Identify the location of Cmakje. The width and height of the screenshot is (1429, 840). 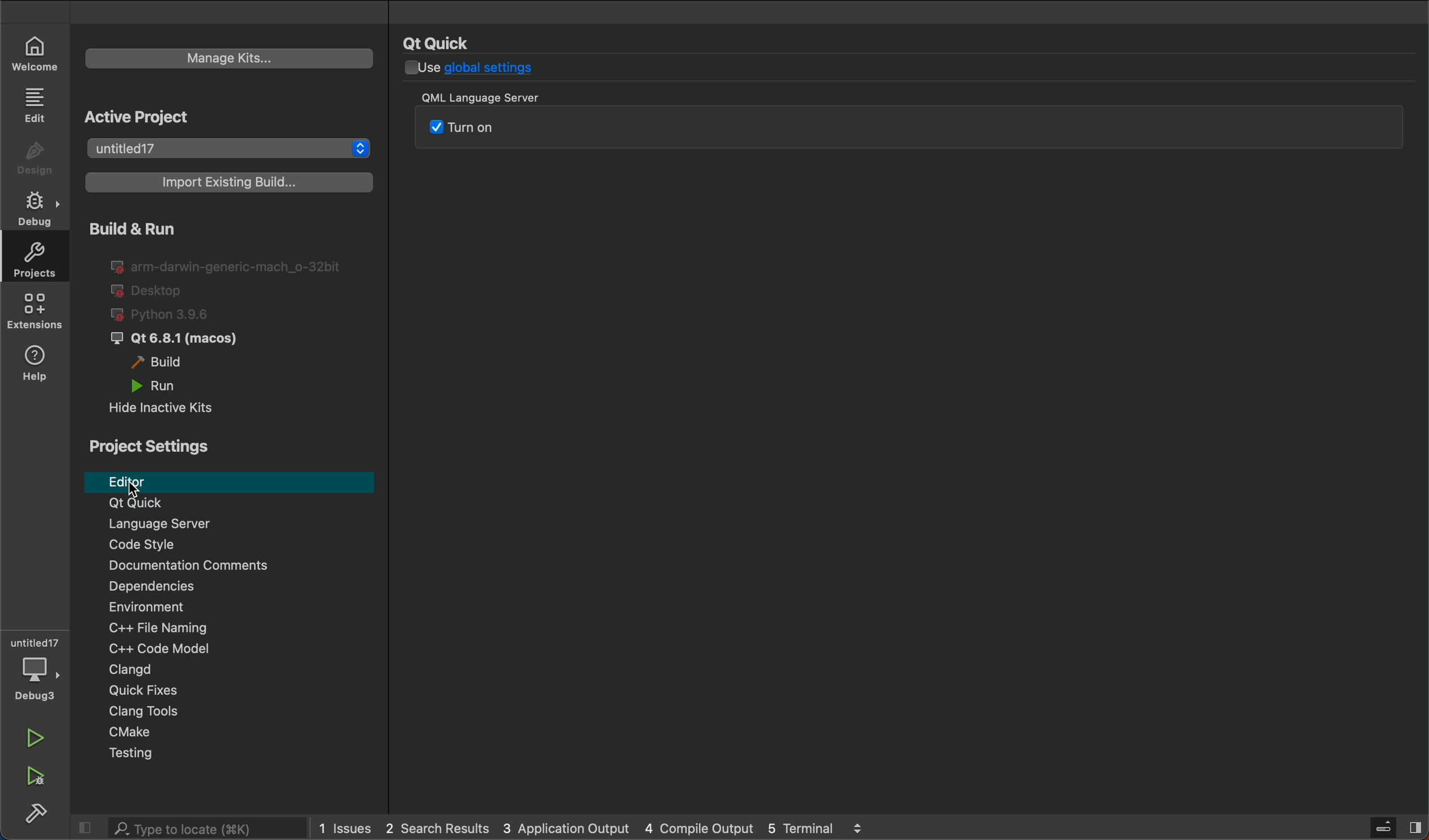
(238, 735).